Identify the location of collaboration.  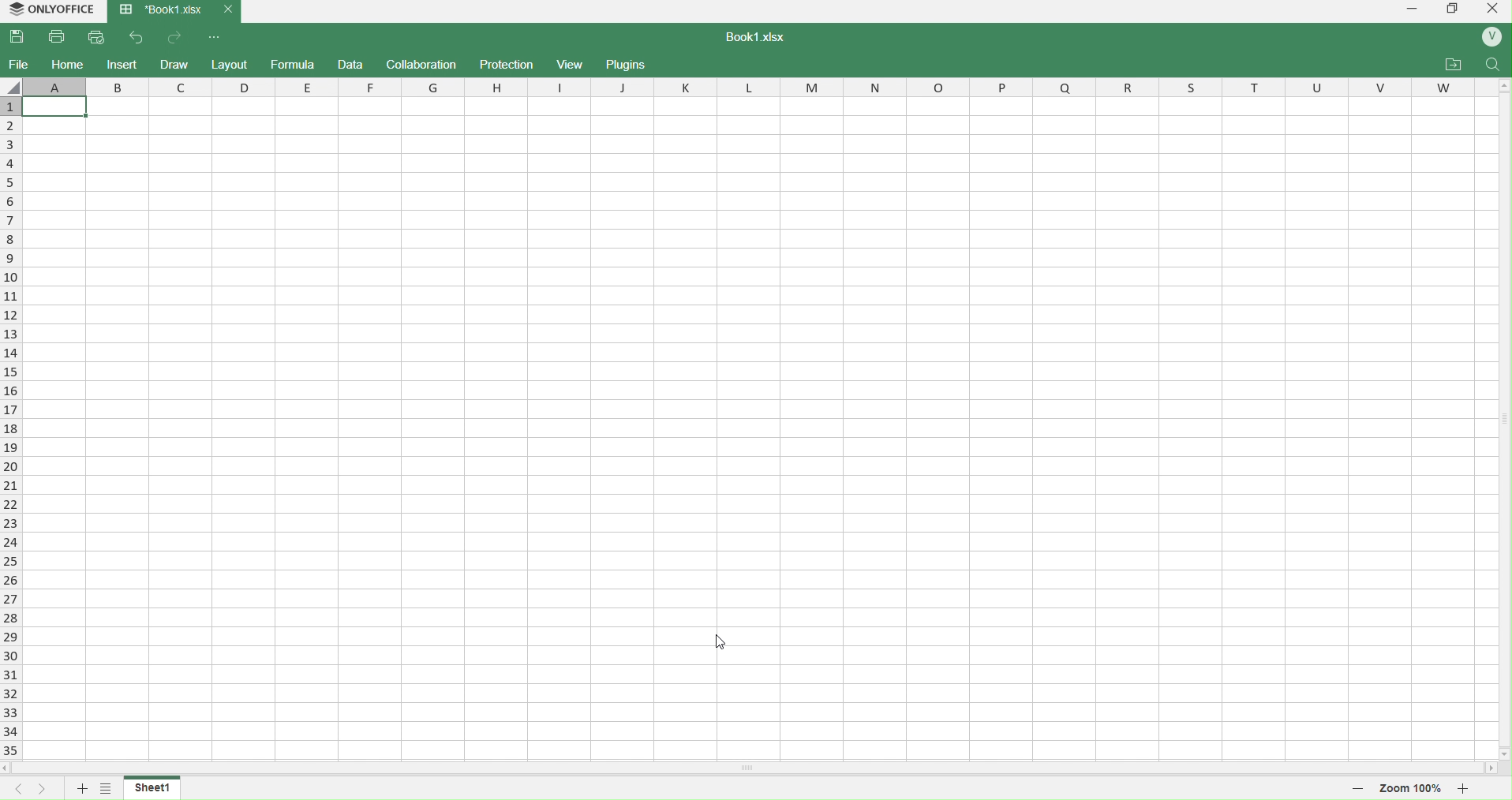
(424, 64).